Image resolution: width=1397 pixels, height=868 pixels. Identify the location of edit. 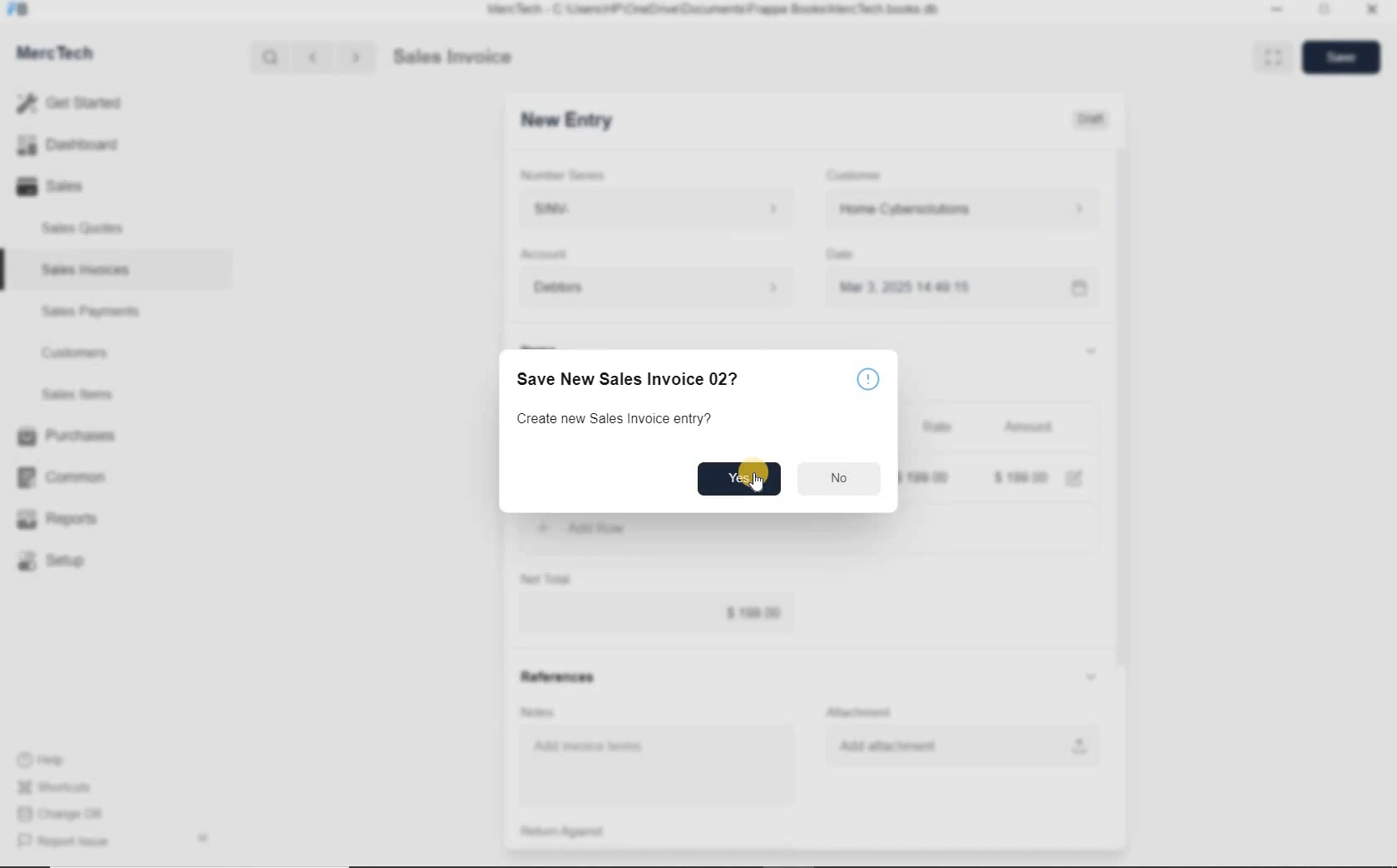
(1074, 478).